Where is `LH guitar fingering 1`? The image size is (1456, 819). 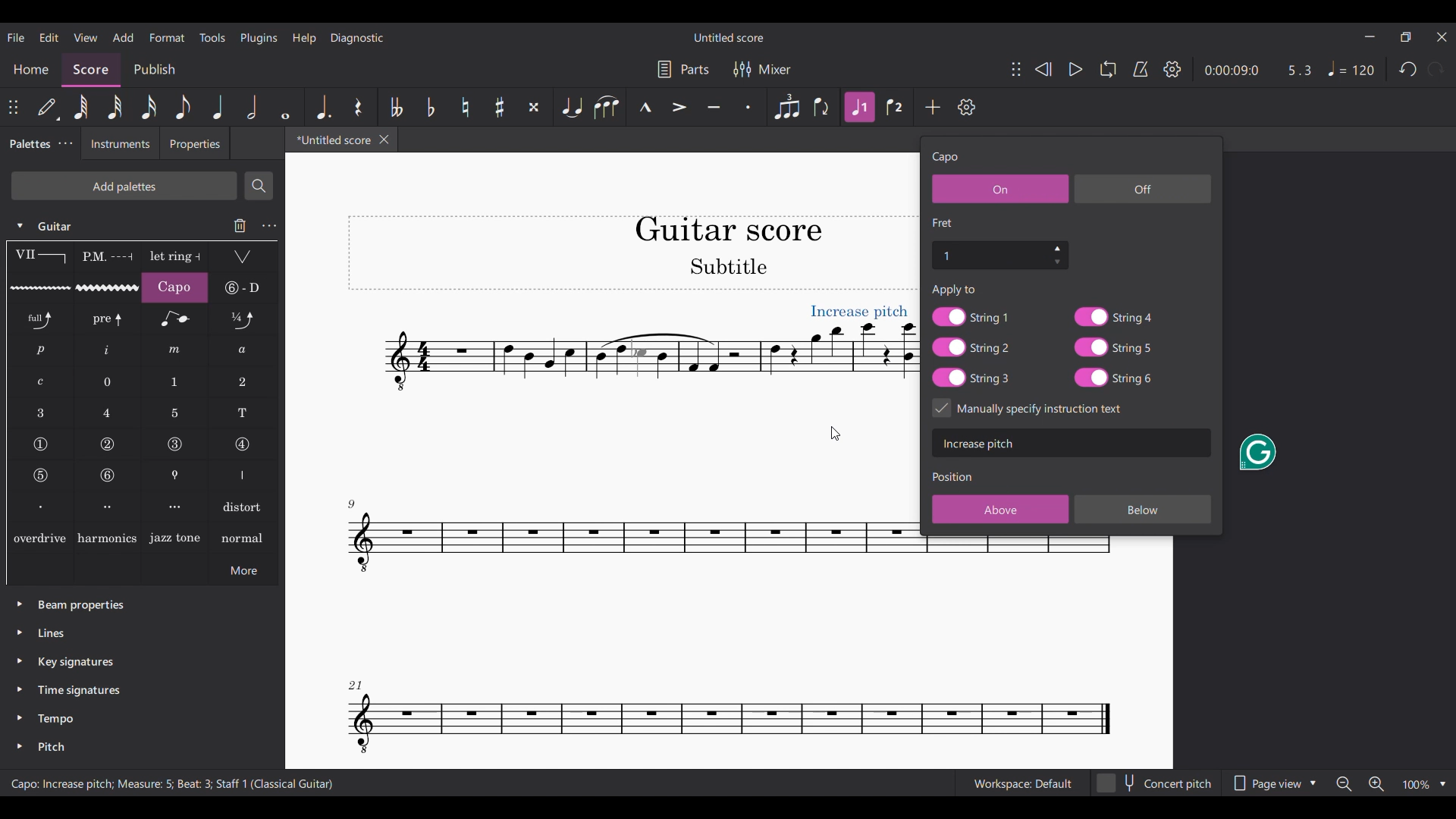 LH guitar fingering 1 is located at coordinates (176, 382).